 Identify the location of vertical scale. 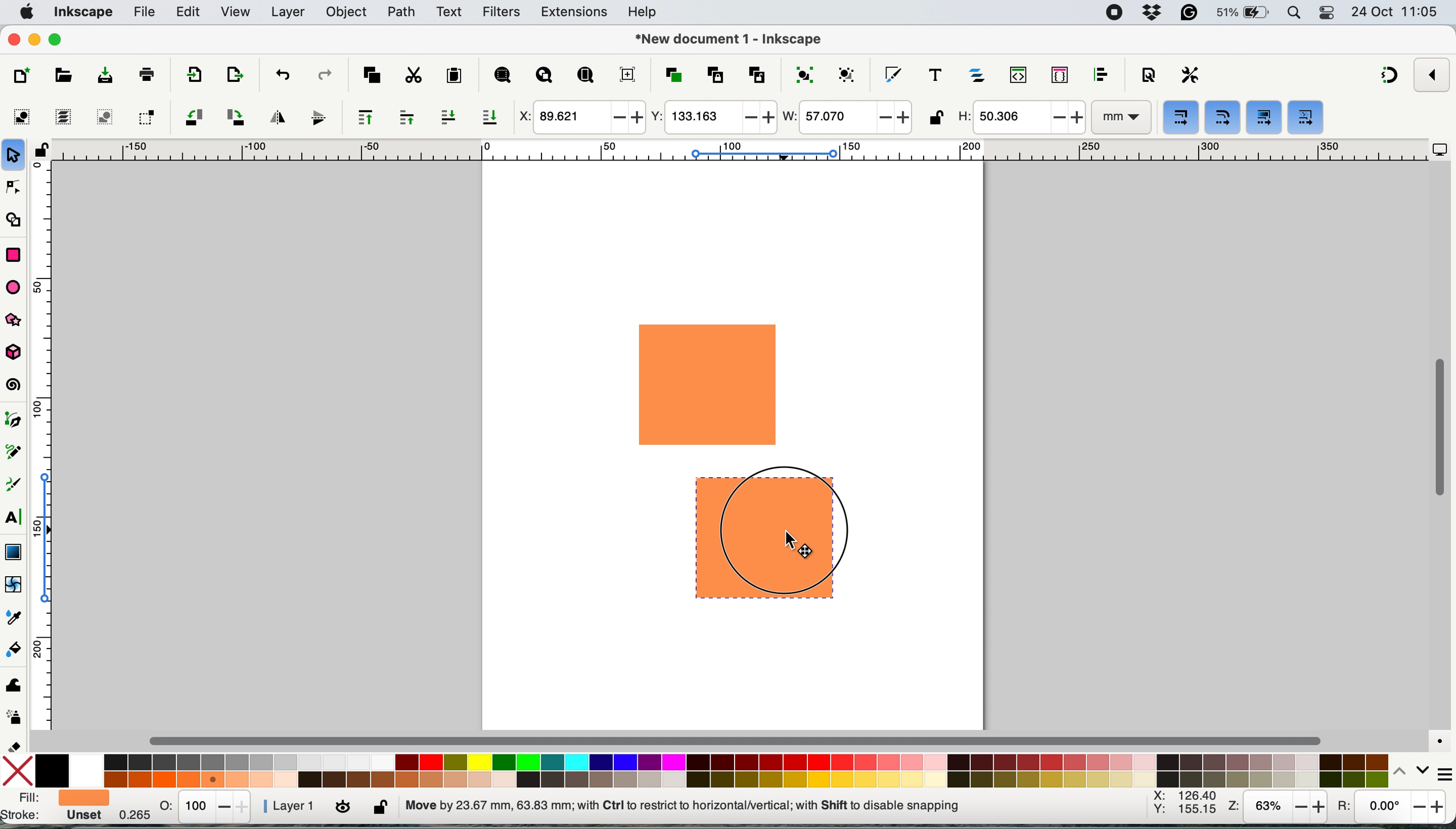
(52, 451).